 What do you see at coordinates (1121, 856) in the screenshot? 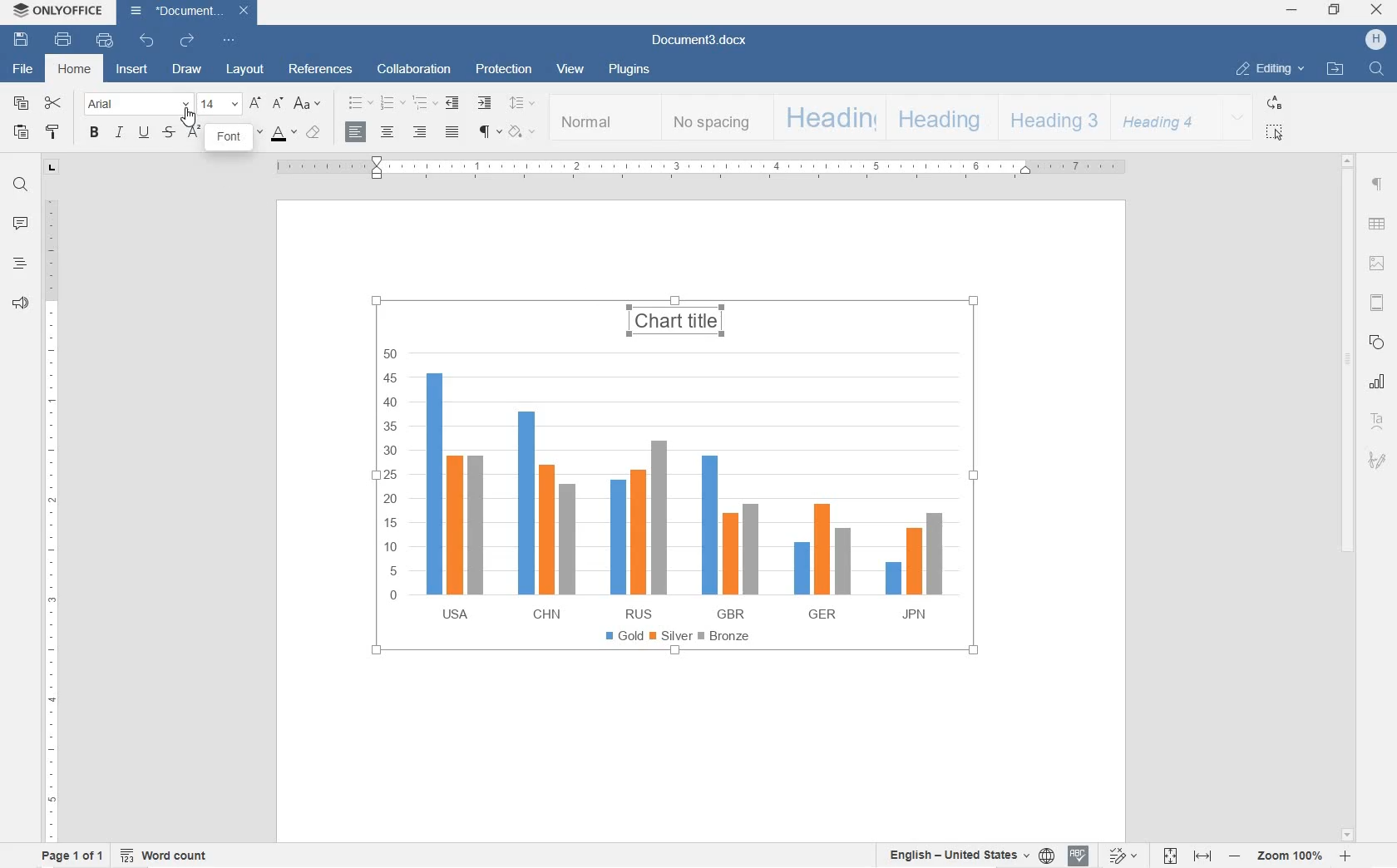
I see `TRACK CHANGES` at bounding box center [1121, 856].